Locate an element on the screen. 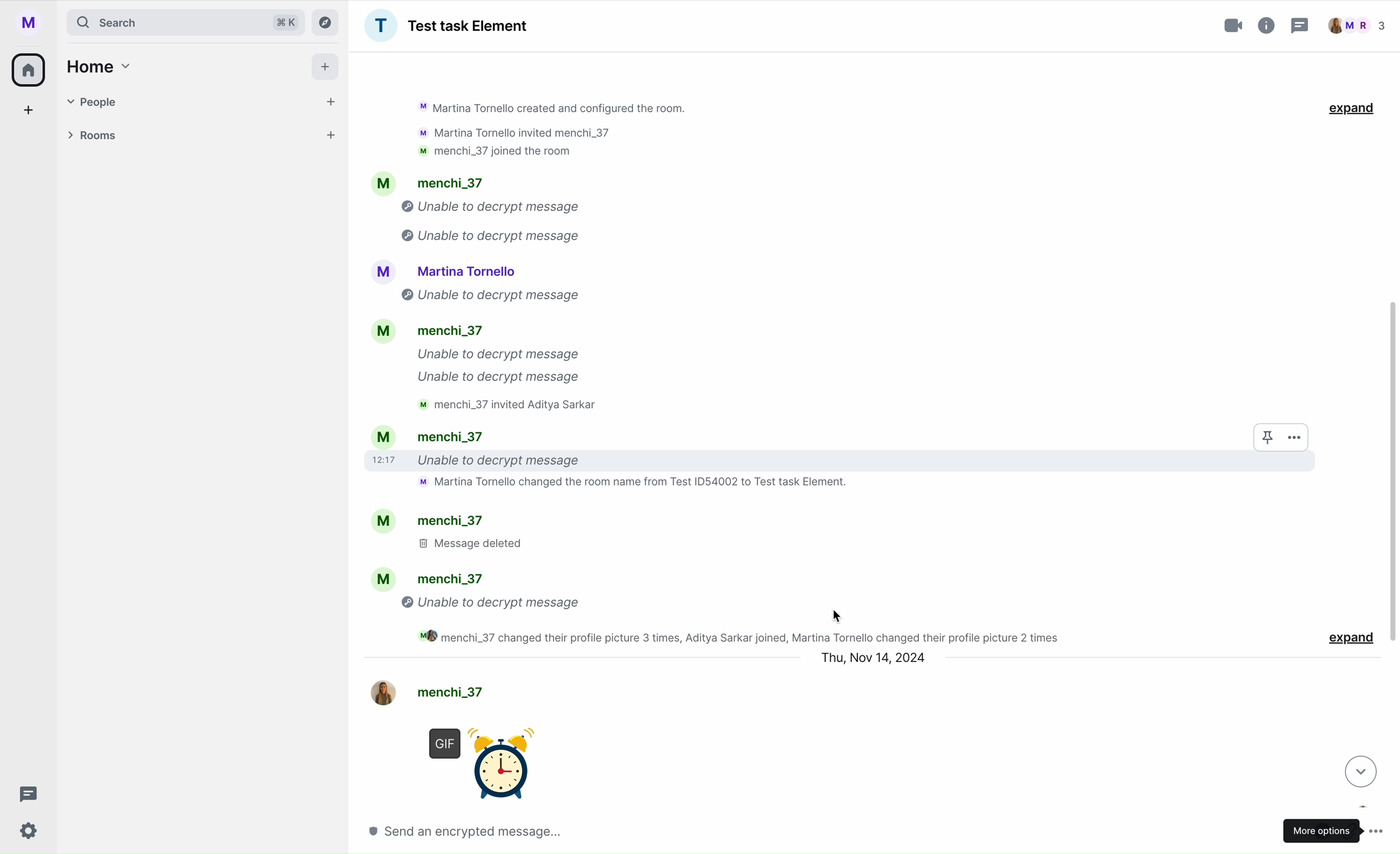  threads is located at coordinates (1298, 27).